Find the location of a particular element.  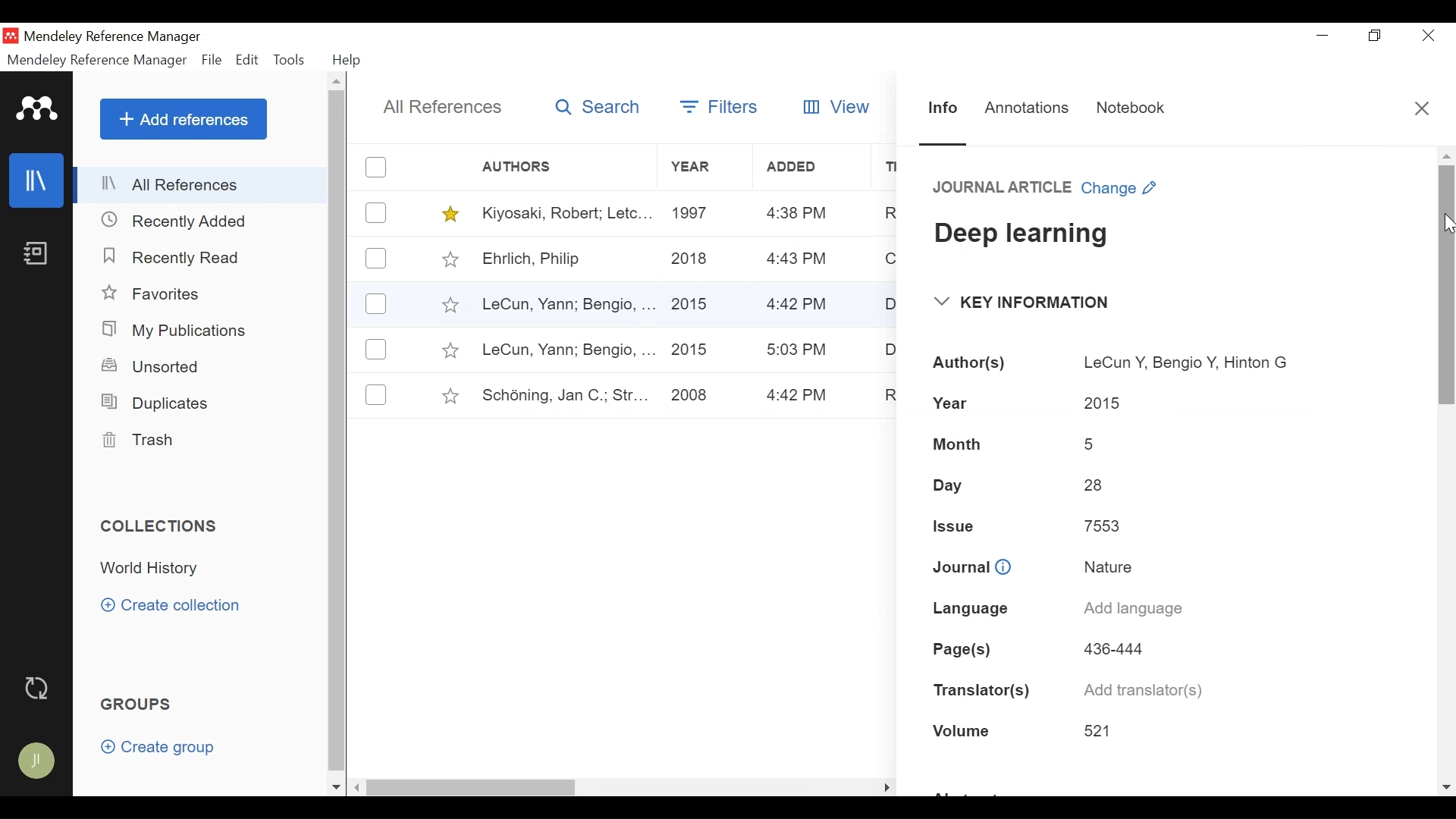

Recently Read is located at coordinates (174, 257).